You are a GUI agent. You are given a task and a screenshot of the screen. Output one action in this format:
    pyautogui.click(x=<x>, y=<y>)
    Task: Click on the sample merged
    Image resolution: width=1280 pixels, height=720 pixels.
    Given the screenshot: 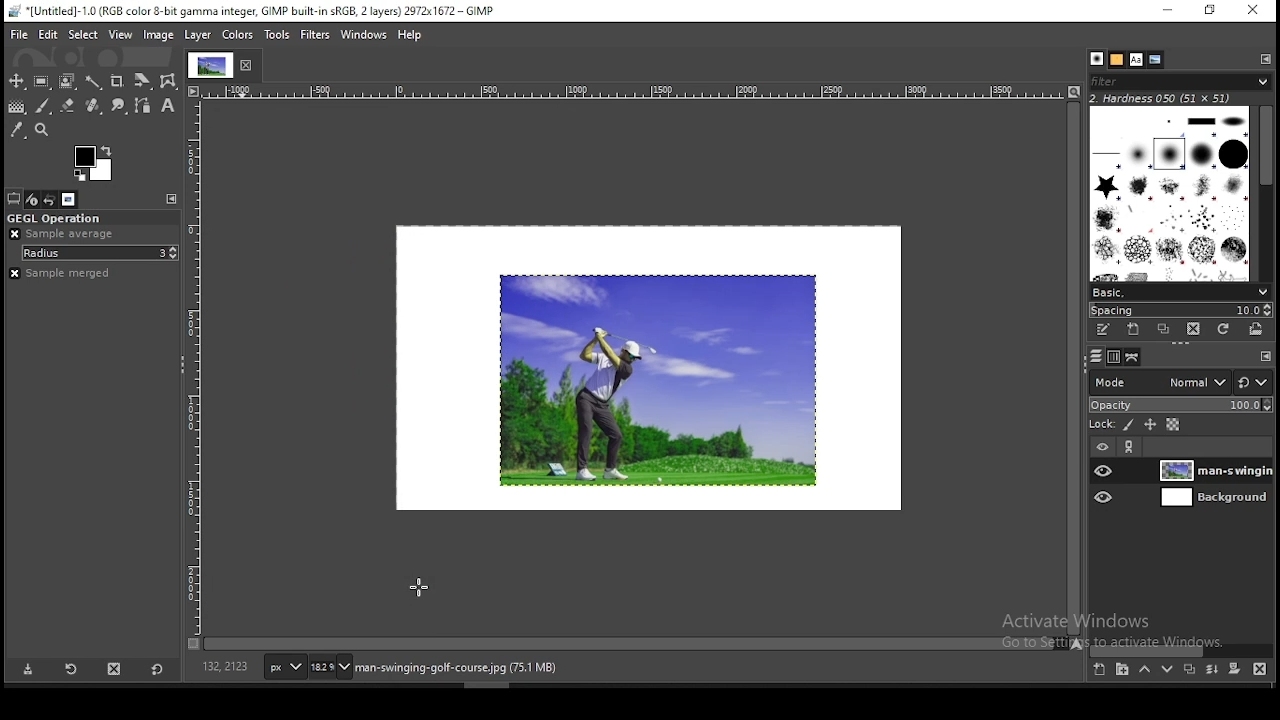 What is the action you would take?
    pyautogui.click(x=63, y=273)
    